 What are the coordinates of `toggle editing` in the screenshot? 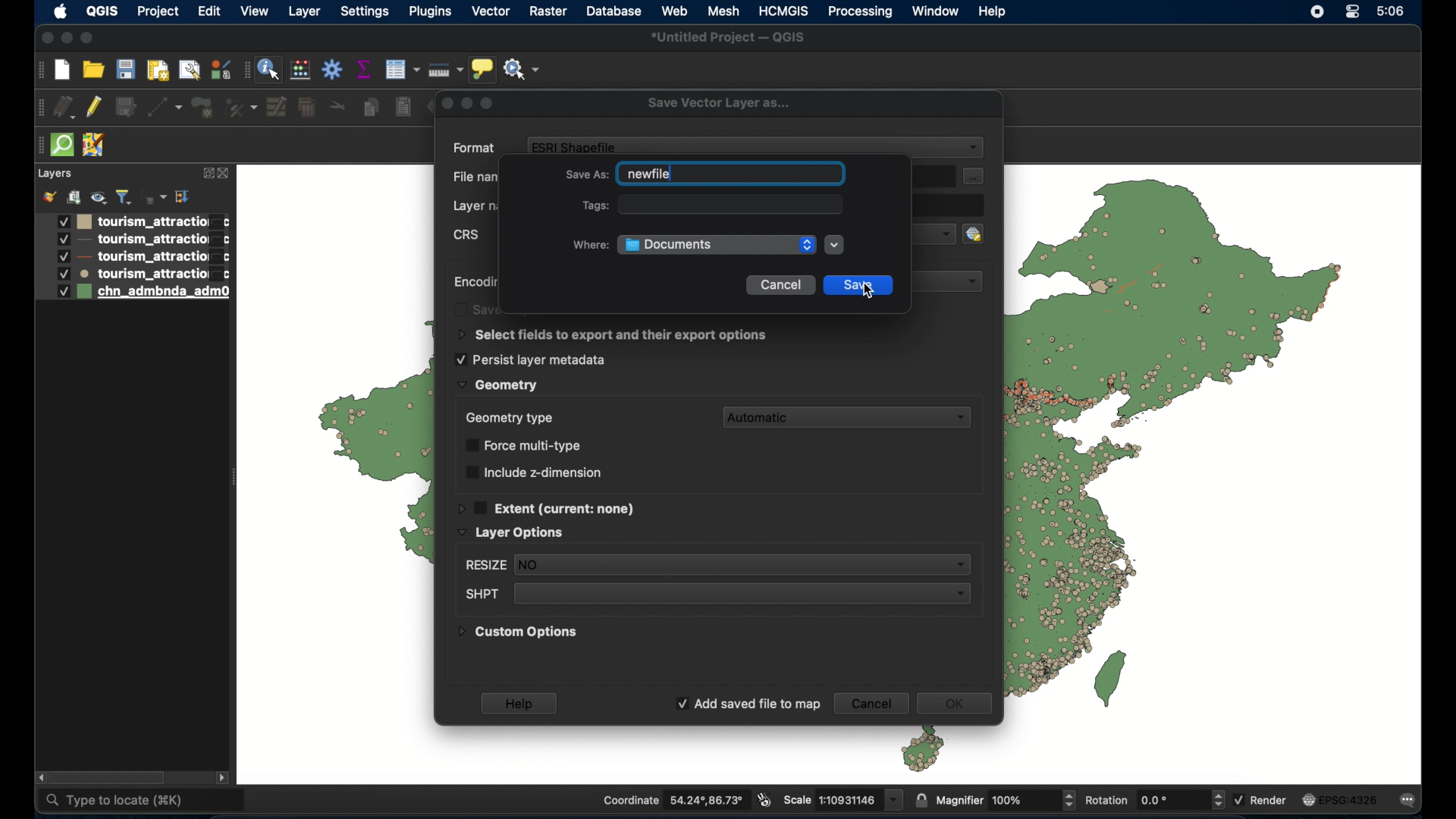 It's located at (96, 108).